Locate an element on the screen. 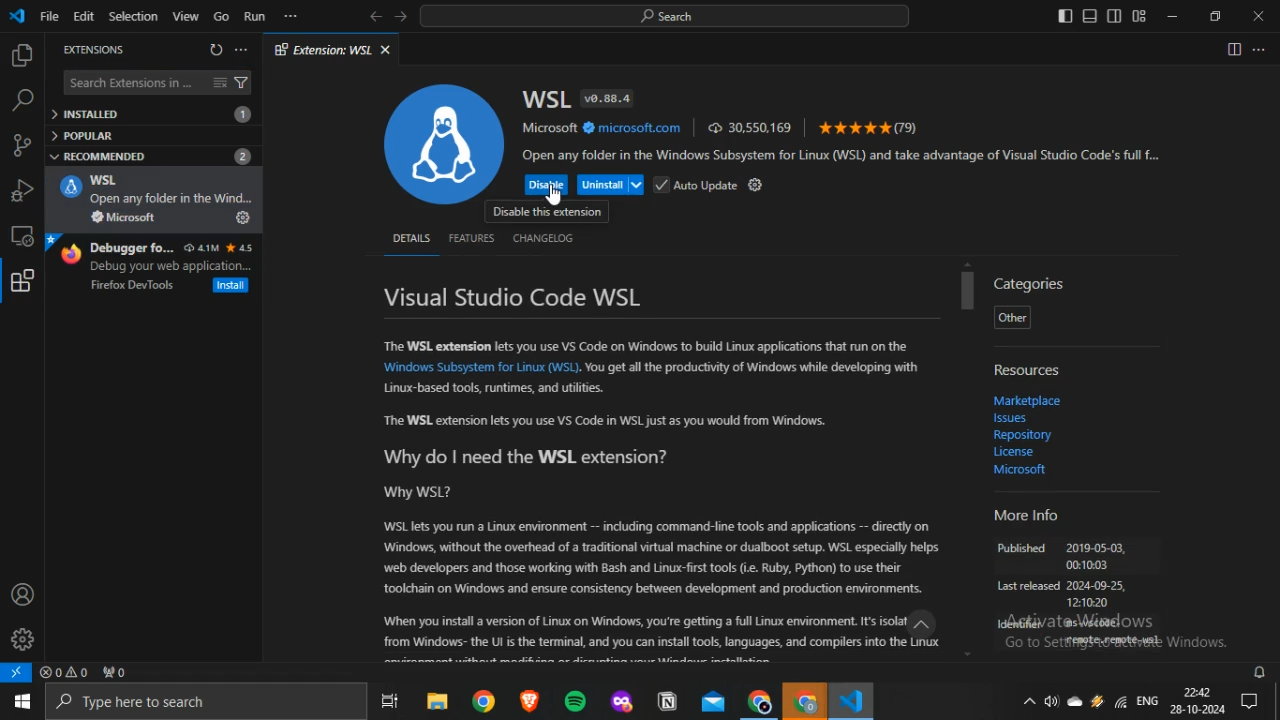 The height and width of the screenshot is (720, 1280). Selection is located at coordinates (132, 16).